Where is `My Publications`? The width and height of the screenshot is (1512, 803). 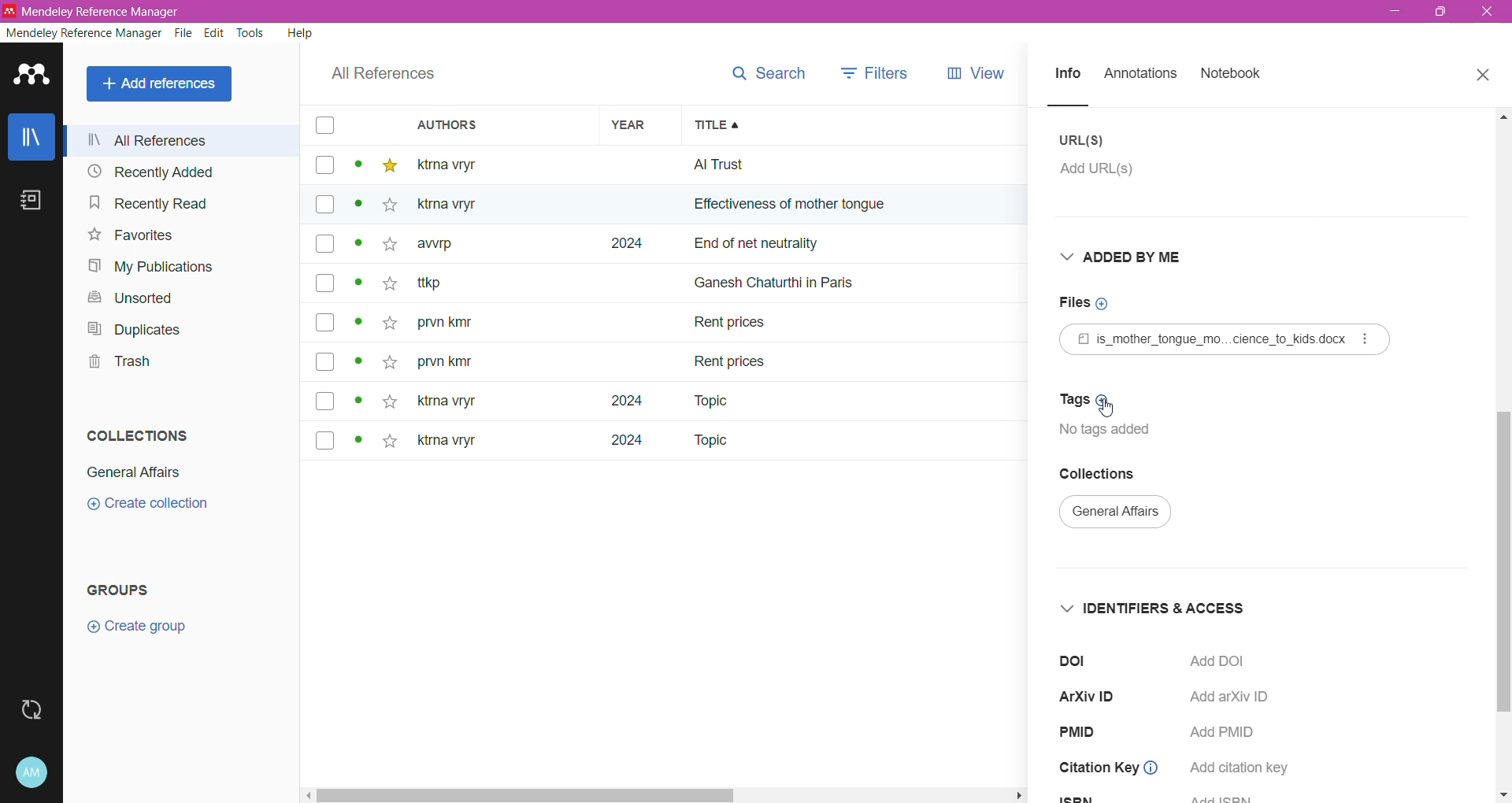
My Publications is located at coordinates (154, 267).